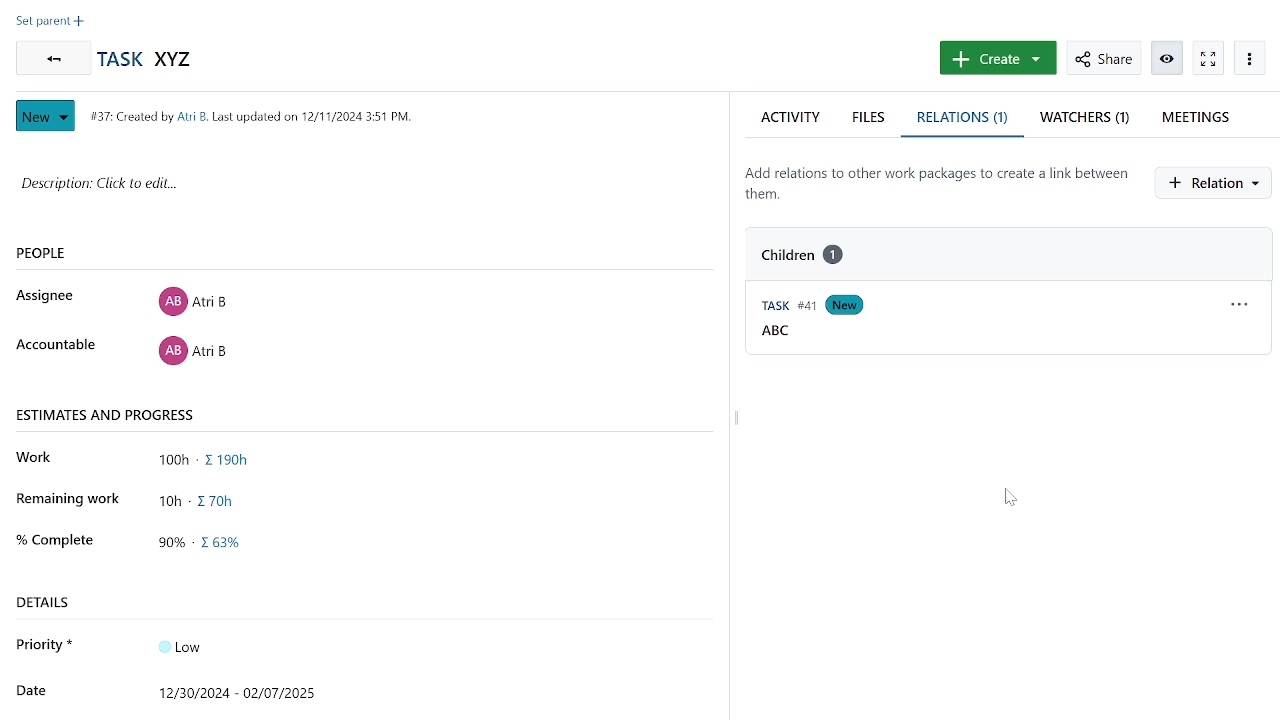  Describe the element at coordinates (965, 120) in the screenshot. I see `relations` at that location.